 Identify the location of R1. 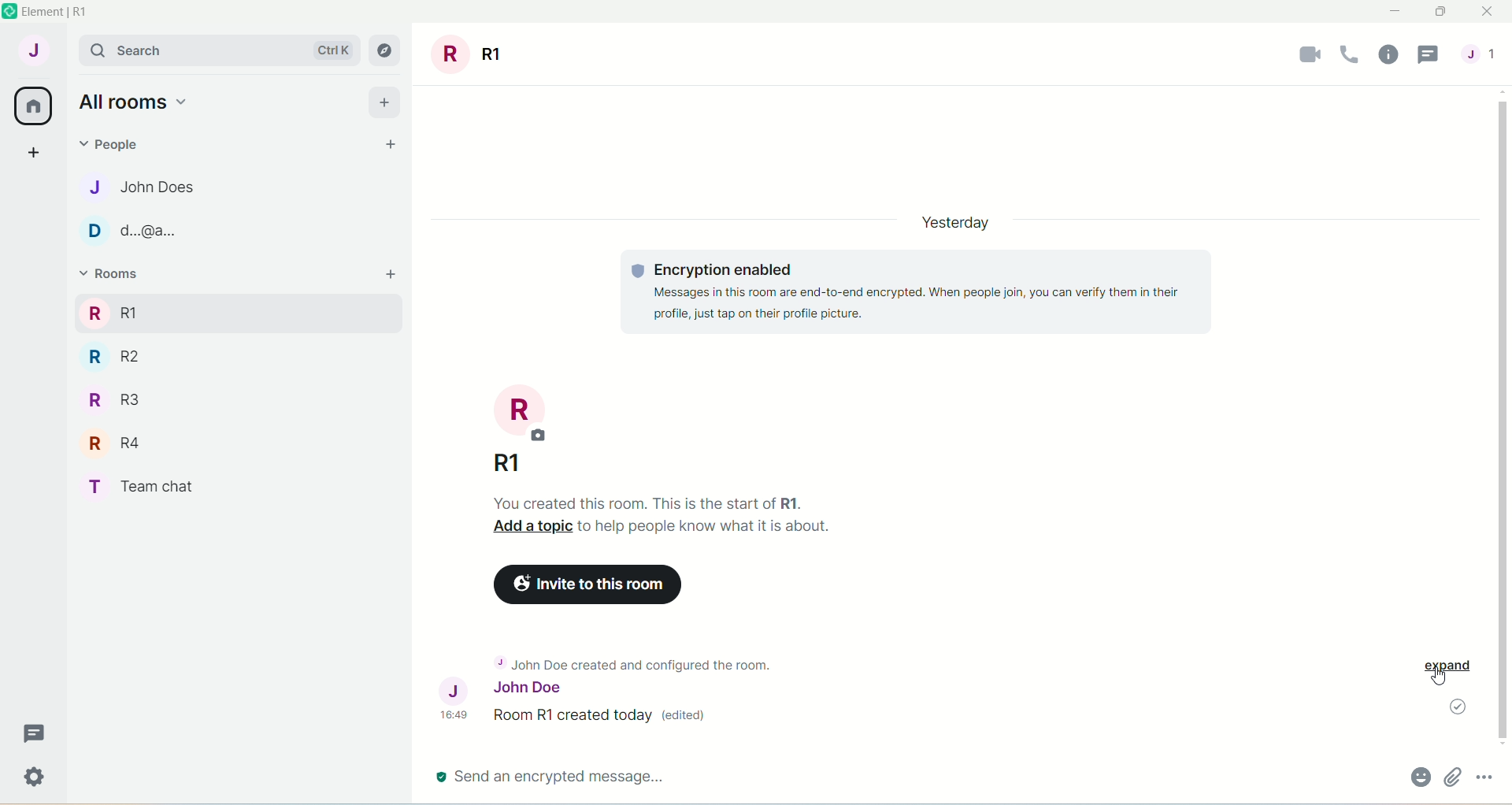
(511, 467).